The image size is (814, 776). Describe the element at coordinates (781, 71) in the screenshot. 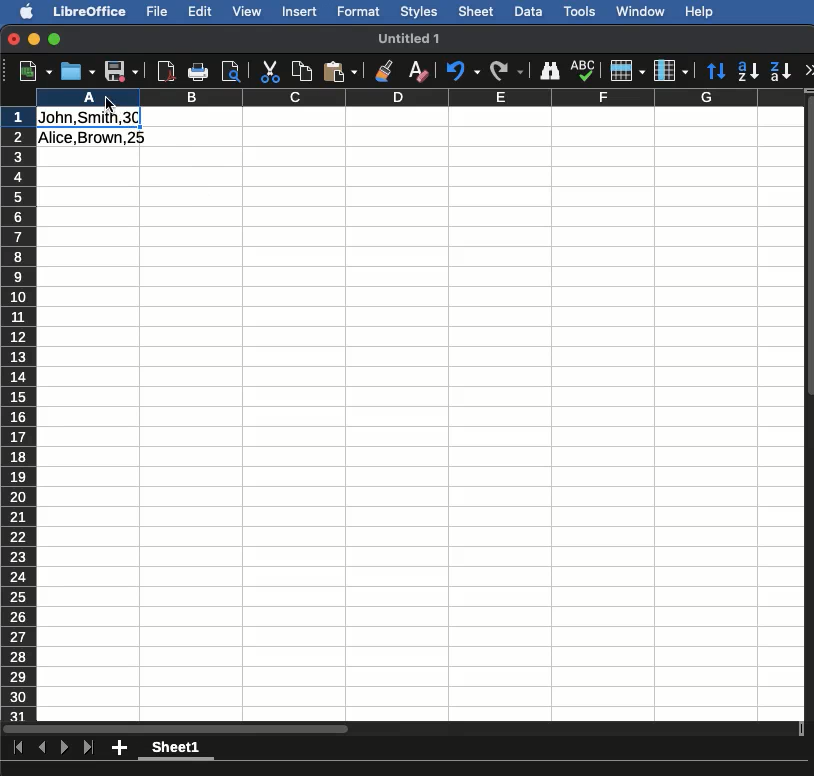

I see `Descending` at that location.